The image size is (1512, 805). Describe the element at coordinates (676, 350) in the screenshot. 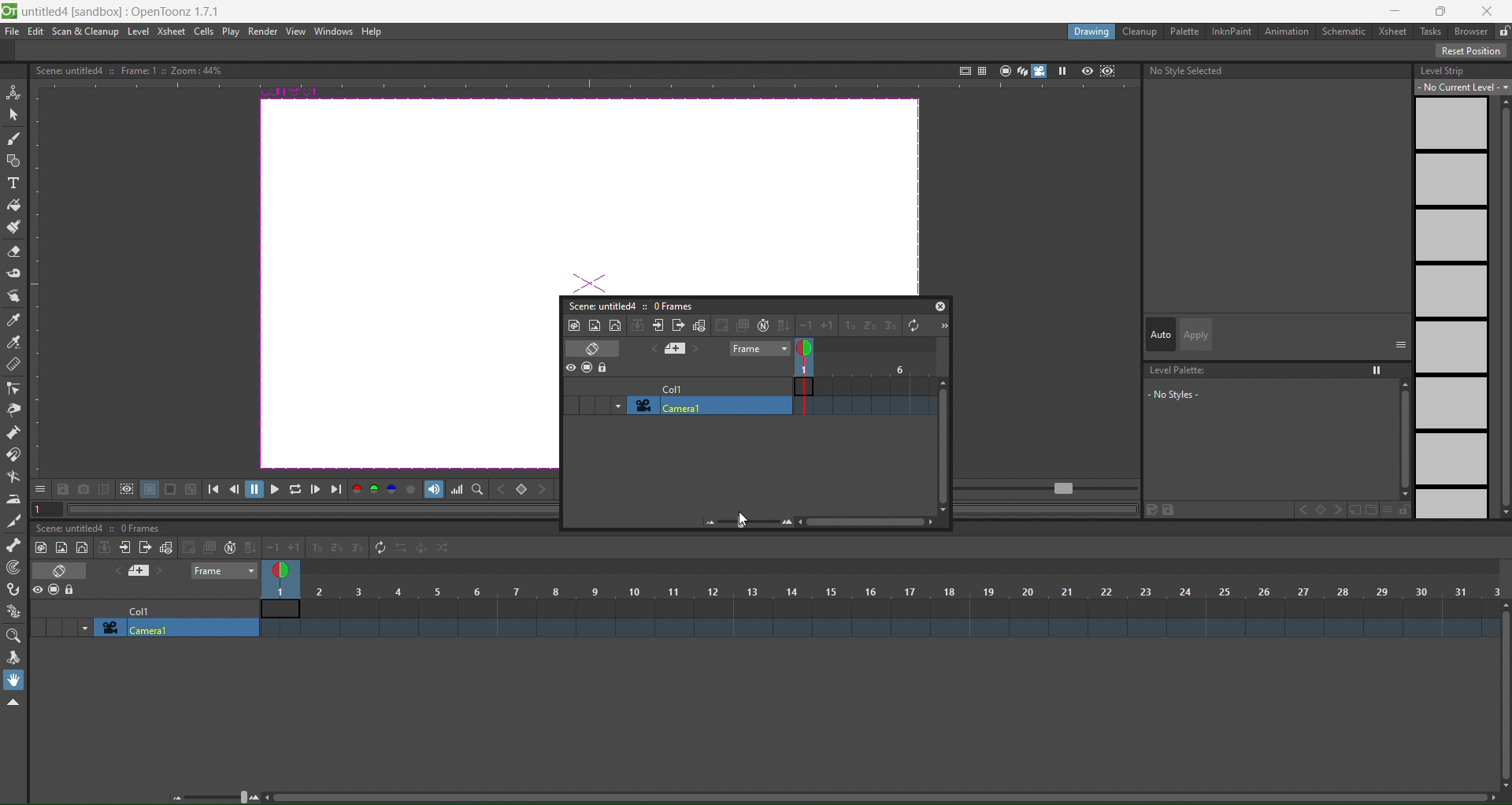

I see `` at that location.